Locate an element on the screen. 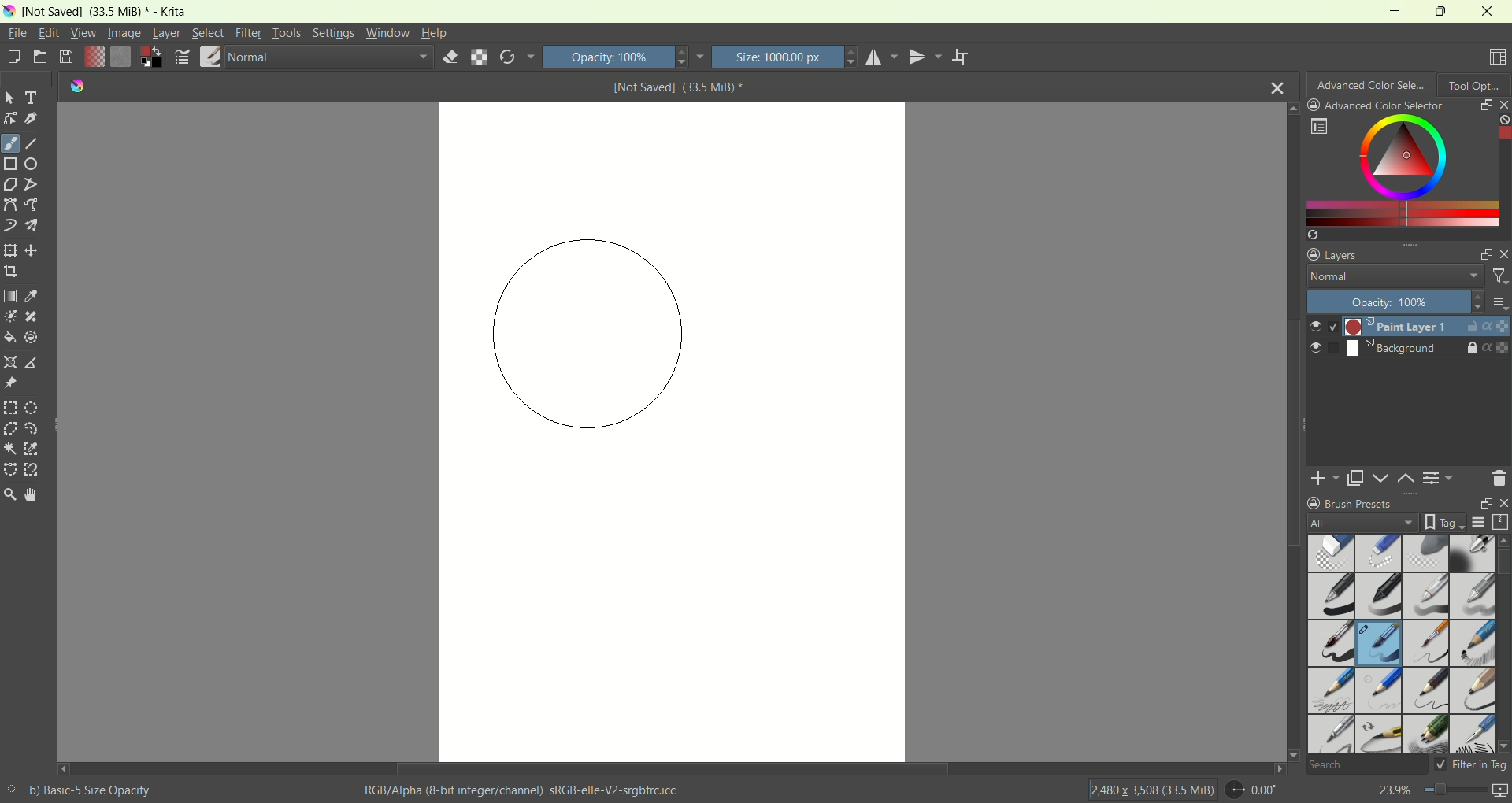  vertical scroll bar is located at coordinates (1503, 169).